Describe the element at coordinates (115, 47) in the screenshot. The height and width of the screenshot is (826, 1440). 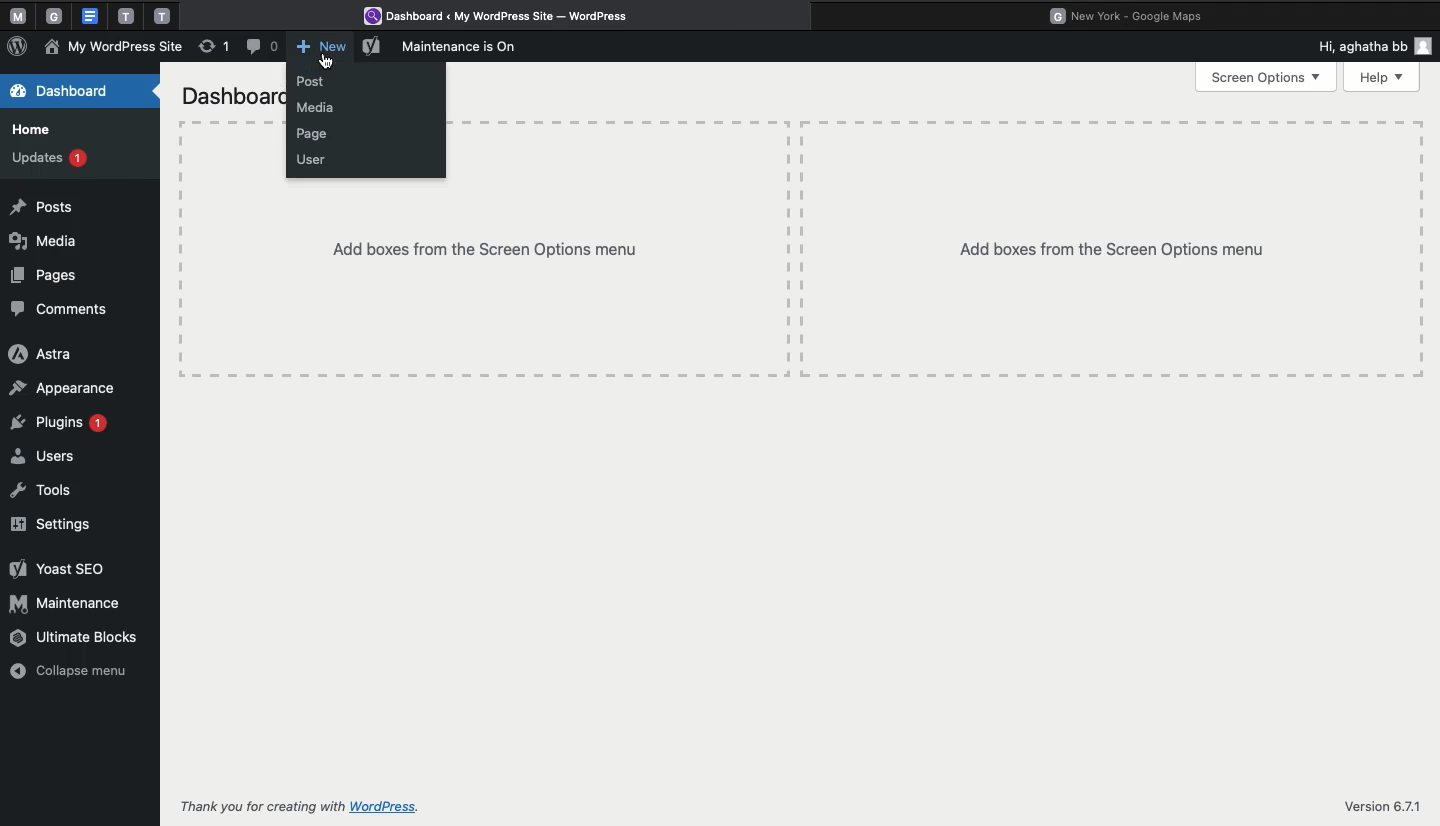
I see `My Wordpress site` at that location.